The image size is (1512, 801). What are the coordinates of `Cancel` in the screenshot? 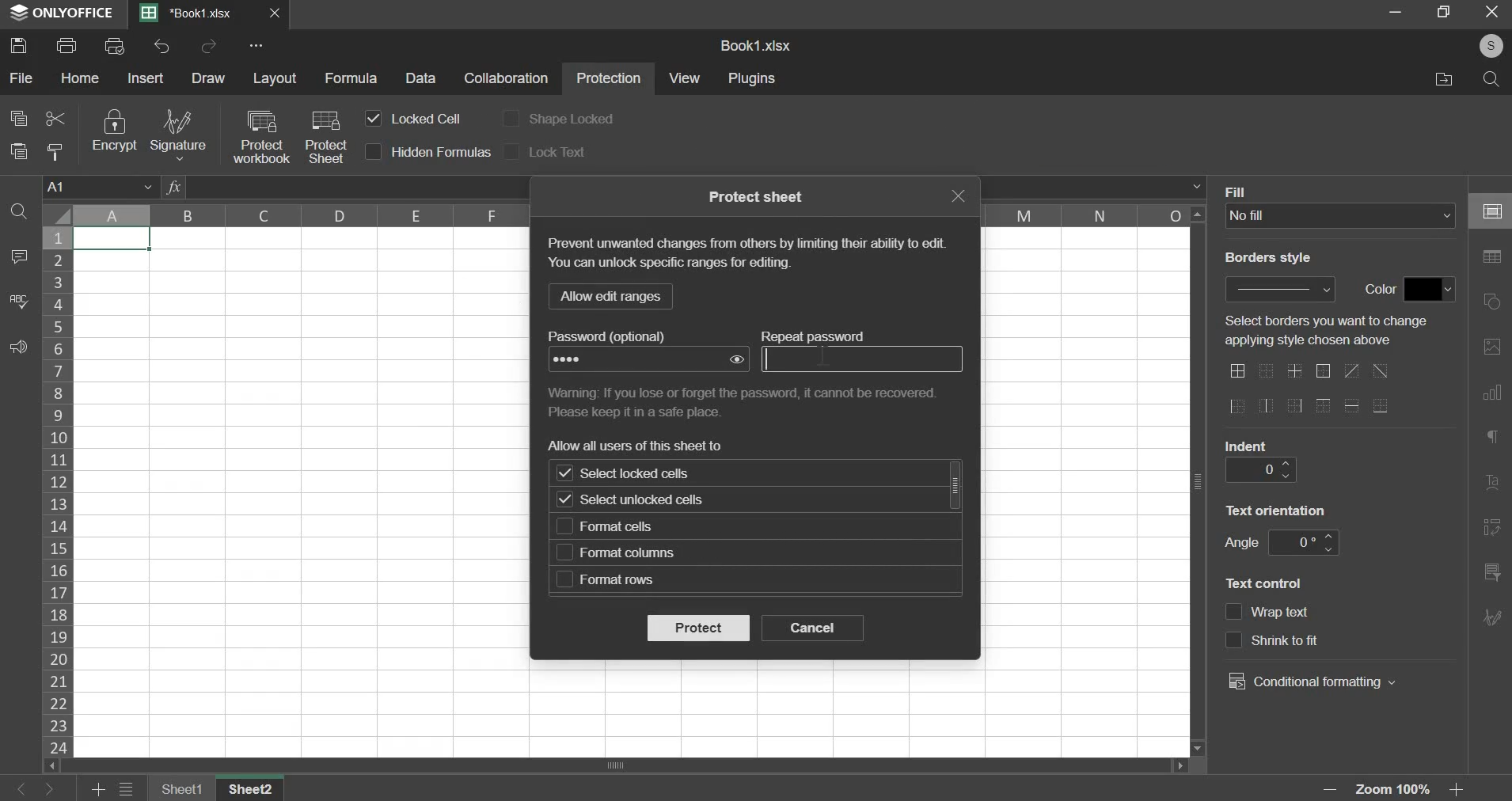 It's located at (1497, 14).